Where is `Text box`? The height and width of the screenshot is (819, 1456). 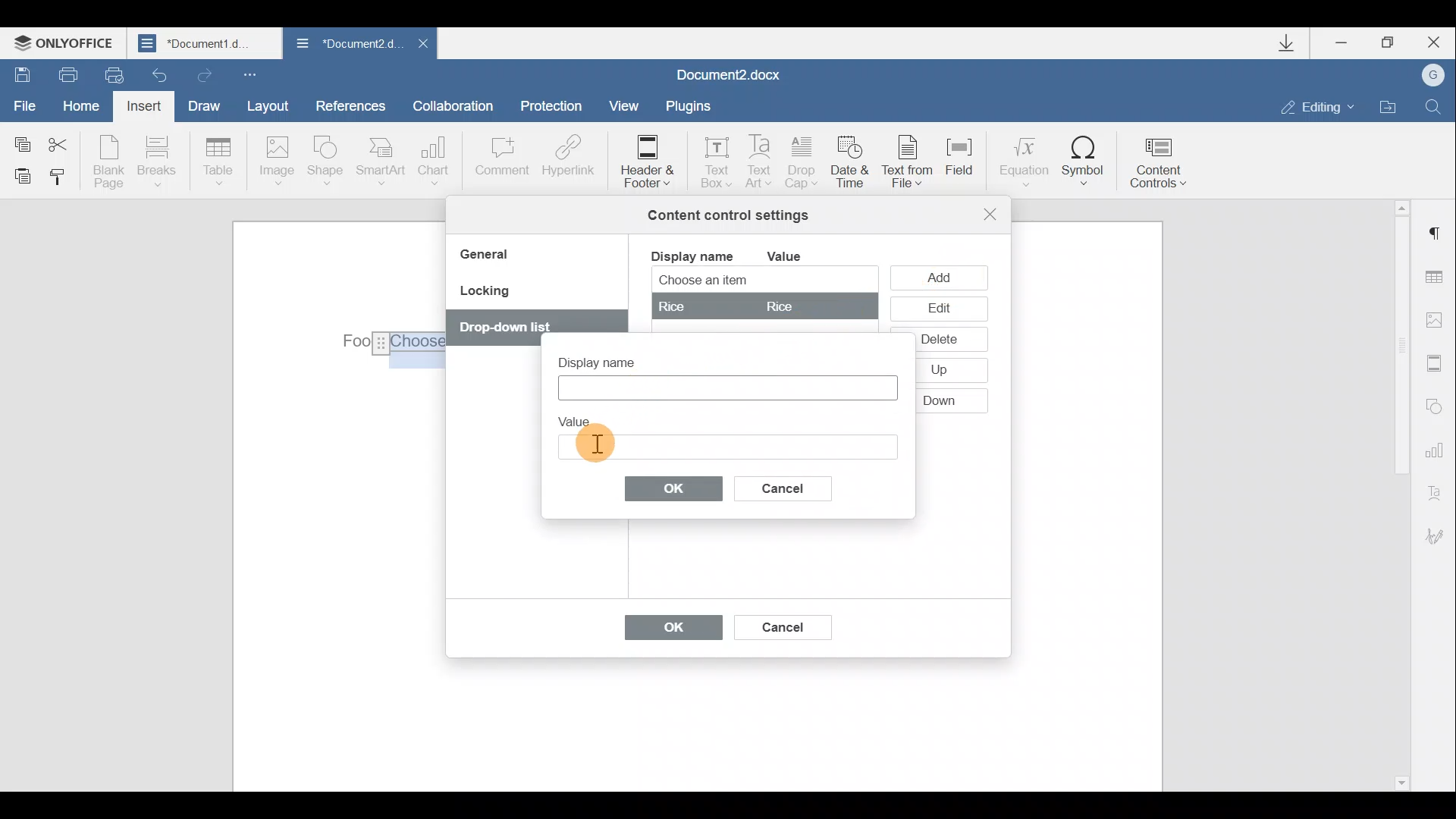
Text box is located at coordinates (711, 158).